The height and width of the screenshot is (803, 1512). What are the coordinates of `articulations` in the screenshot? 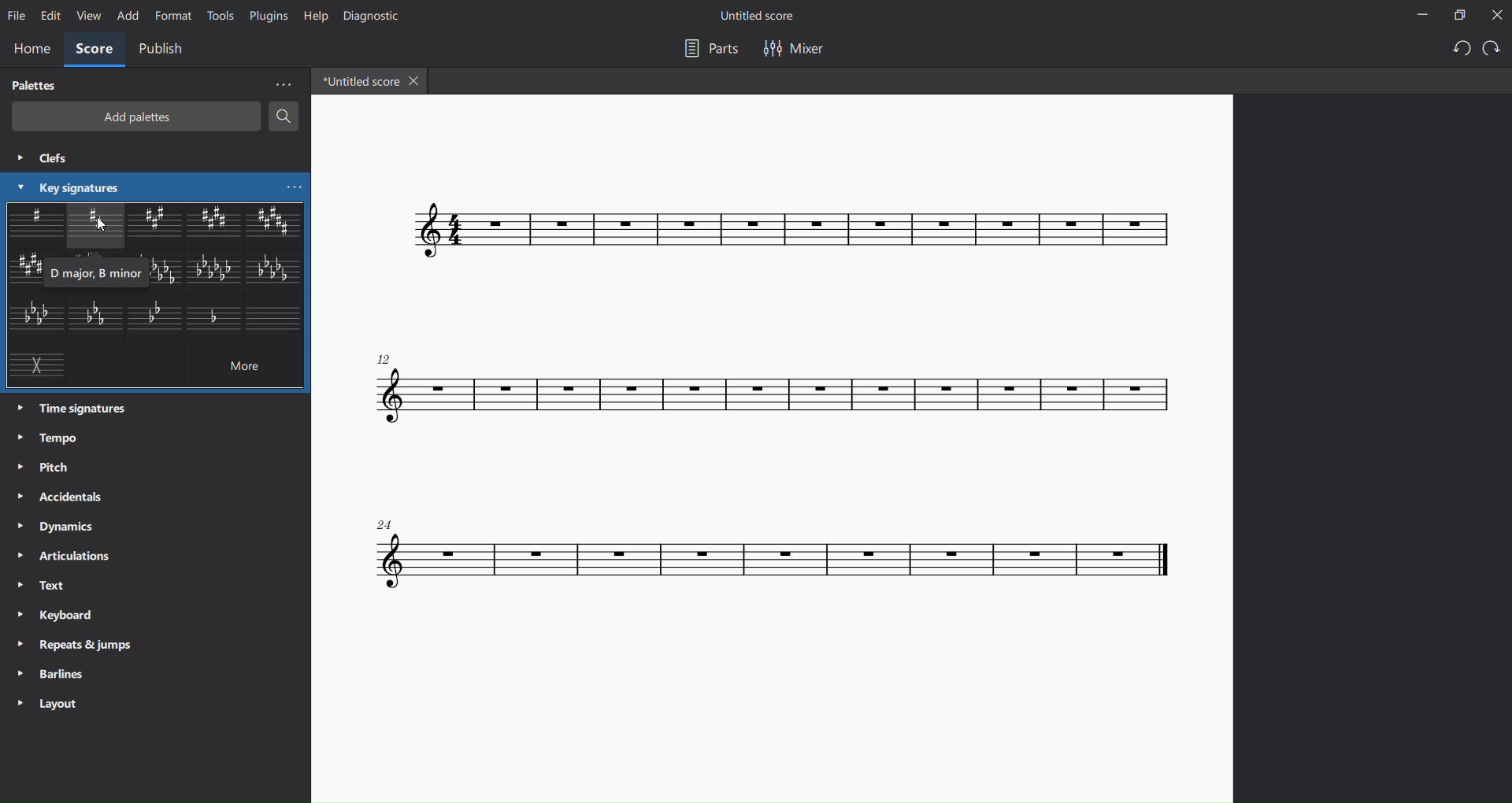 It's located at (70, 557).